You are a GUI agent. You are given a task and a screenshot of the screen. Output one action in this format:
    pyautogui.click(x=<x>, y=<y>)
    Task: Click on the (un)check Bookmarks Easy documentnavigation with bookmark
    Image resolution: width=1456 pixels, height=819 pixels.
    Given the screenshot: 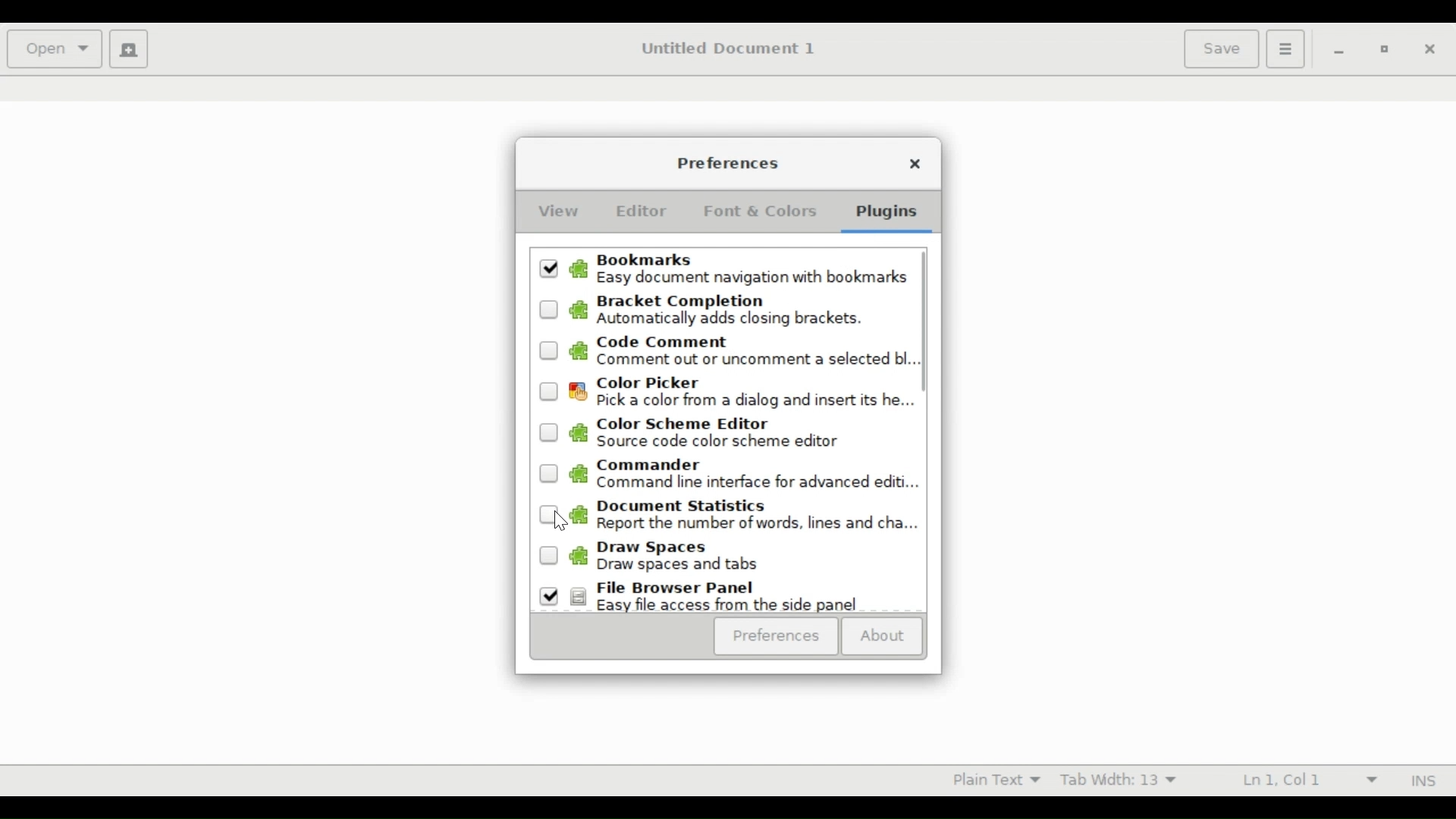 What is the action you would take?
    pyautogui.click(x=739, y=270)
    